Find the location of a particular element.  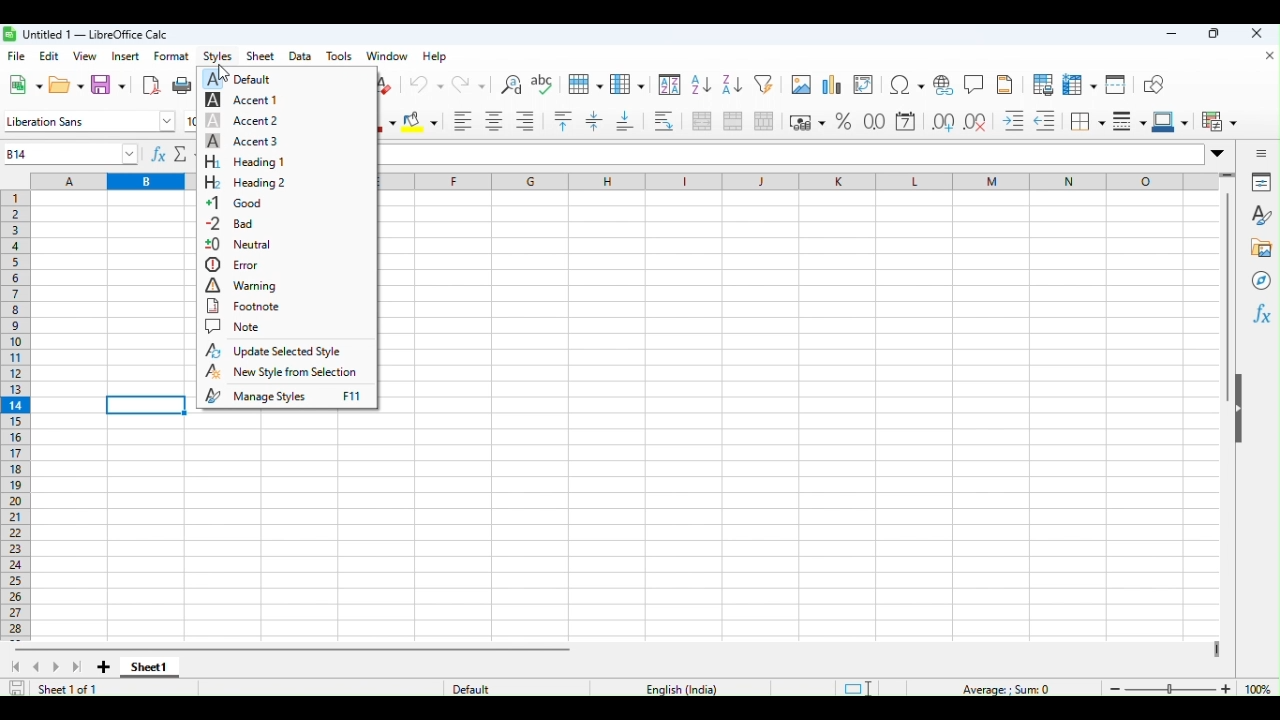

Format is located at coordinates (169, 56).